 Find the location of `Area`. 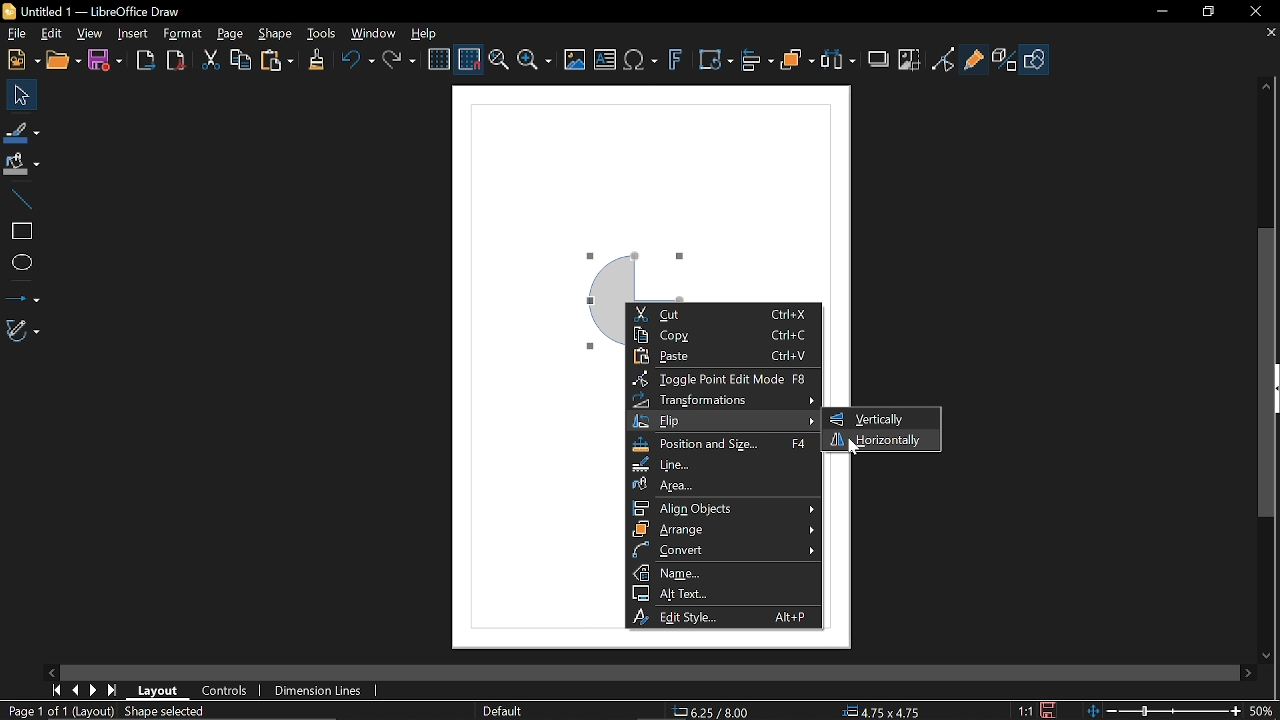

Area is located at coordinates (727, 485).